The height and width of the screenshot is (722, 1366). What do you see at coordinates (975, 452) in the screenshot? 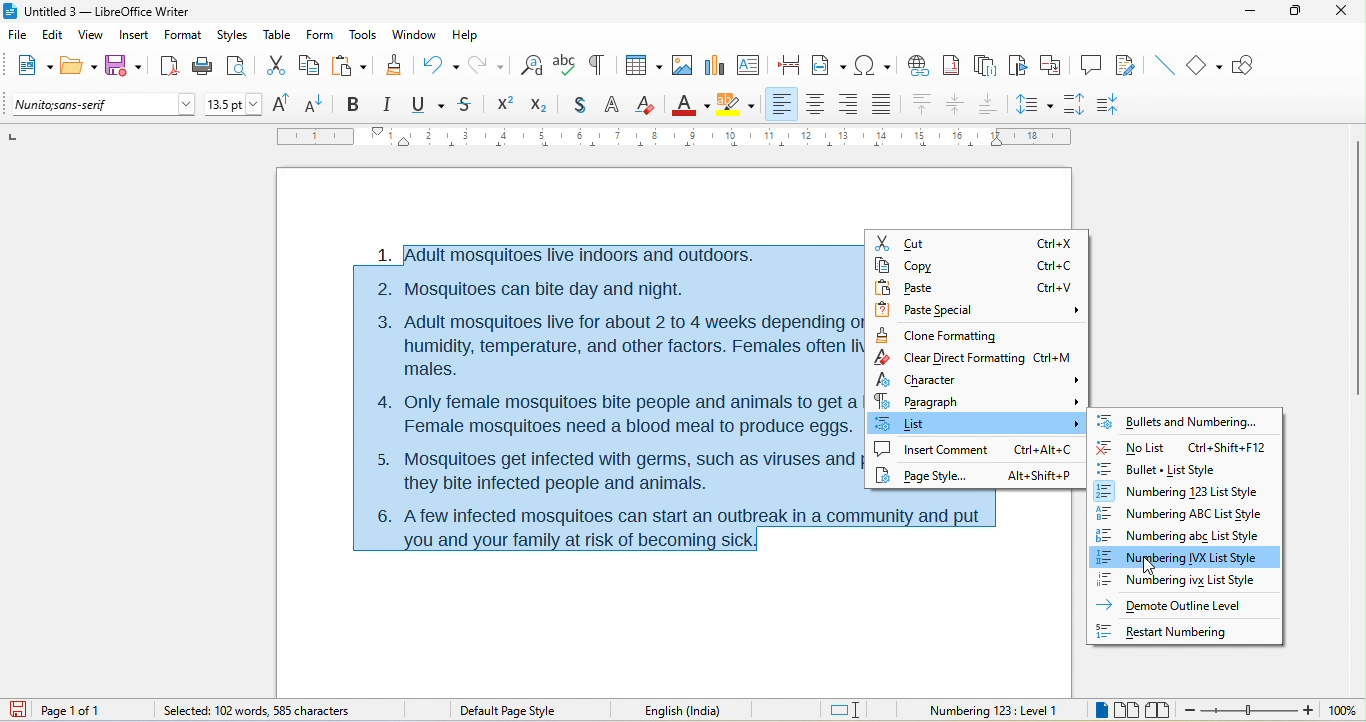
I see `insert comment` at bounding box center [975, 452].